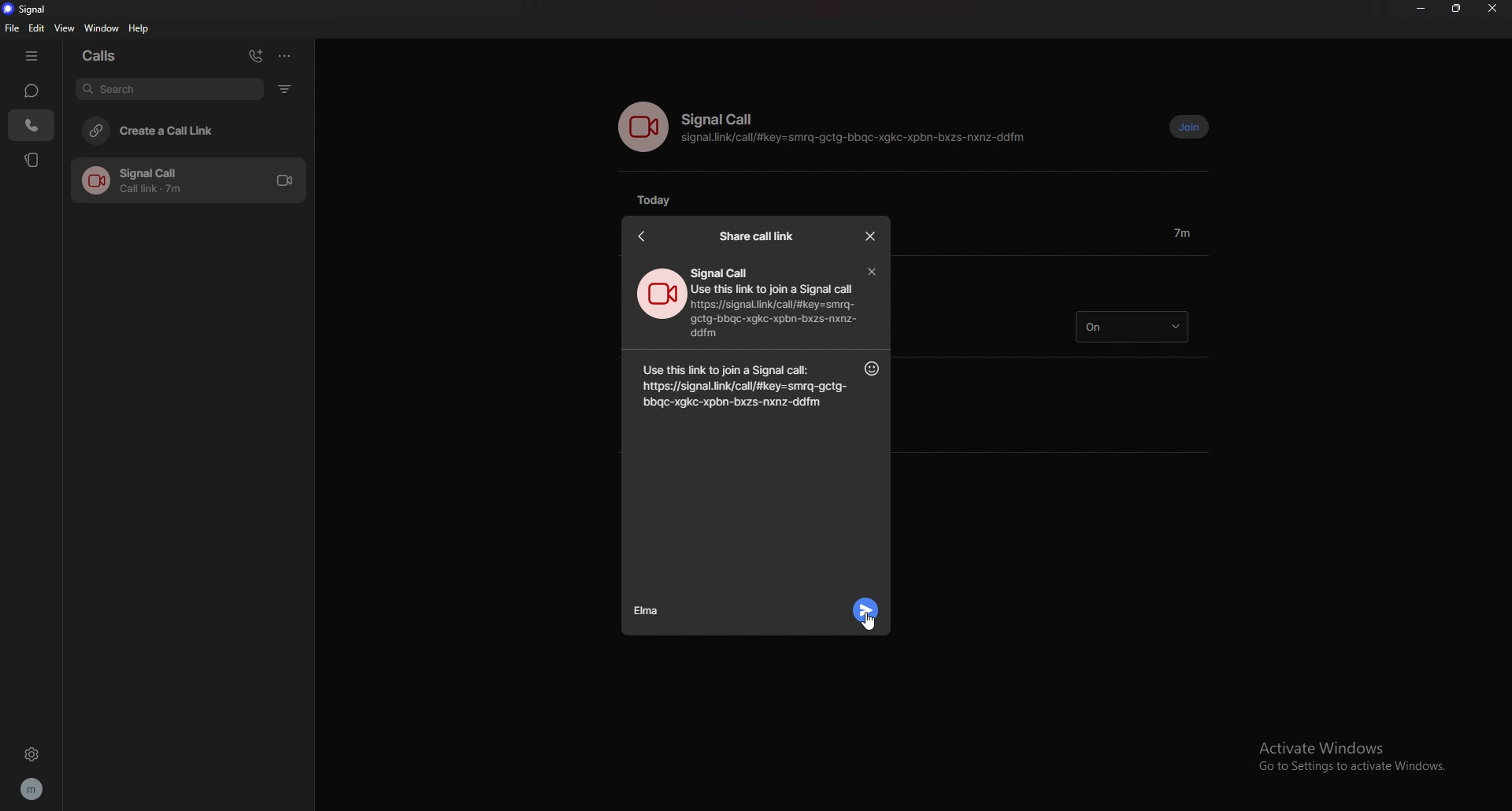 This screenshot has height=811, width=1512. What do you see at coordinates (865, 609) in the screenshot?
I see `send` at bounding box center [865, 609].